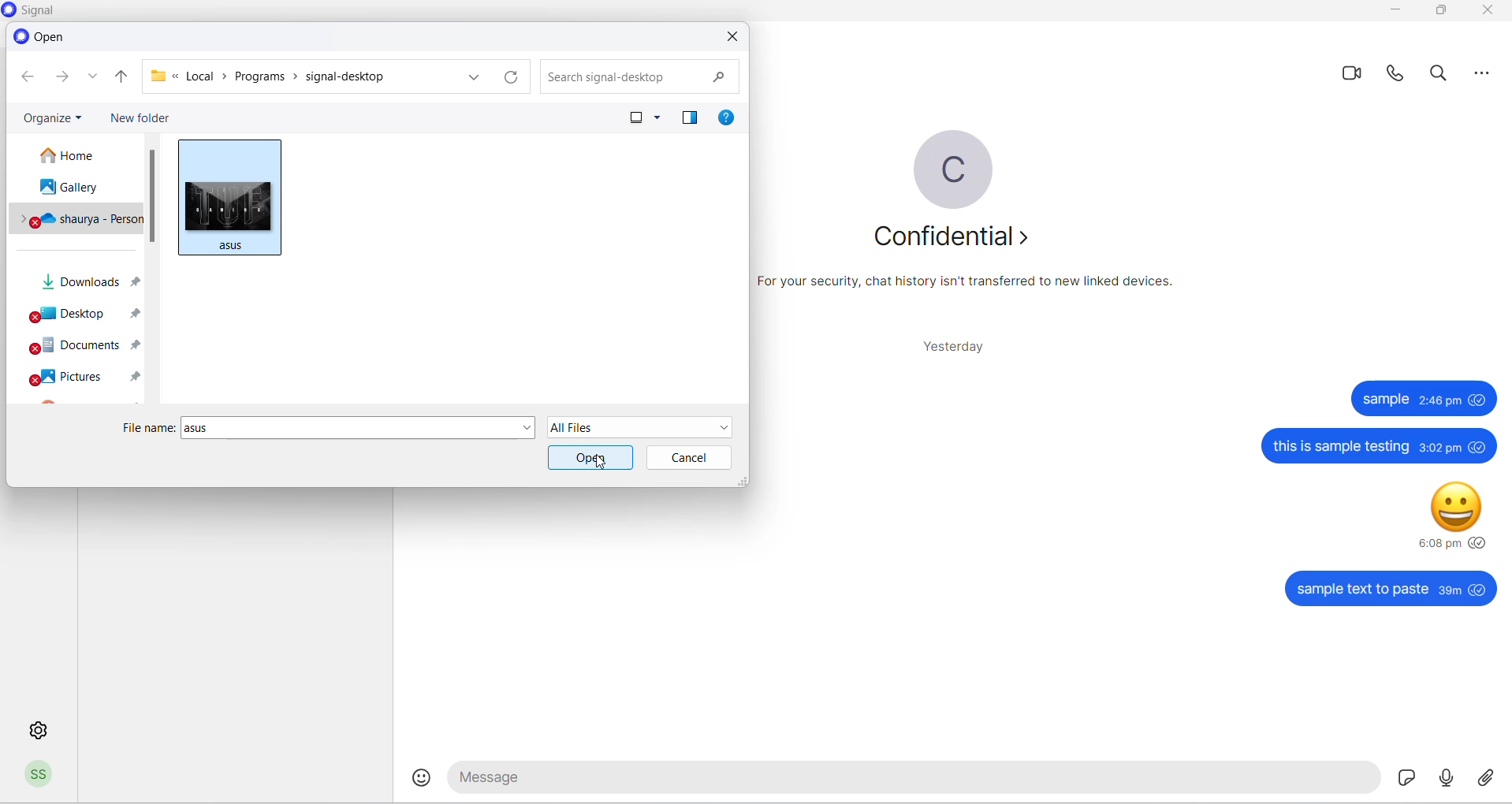 Image resolution: width=1512 pixels, height=804 pixels. Describe the element at coordinates (1456, 509) in the screenshot. I see `Smiley emoji` at that location.